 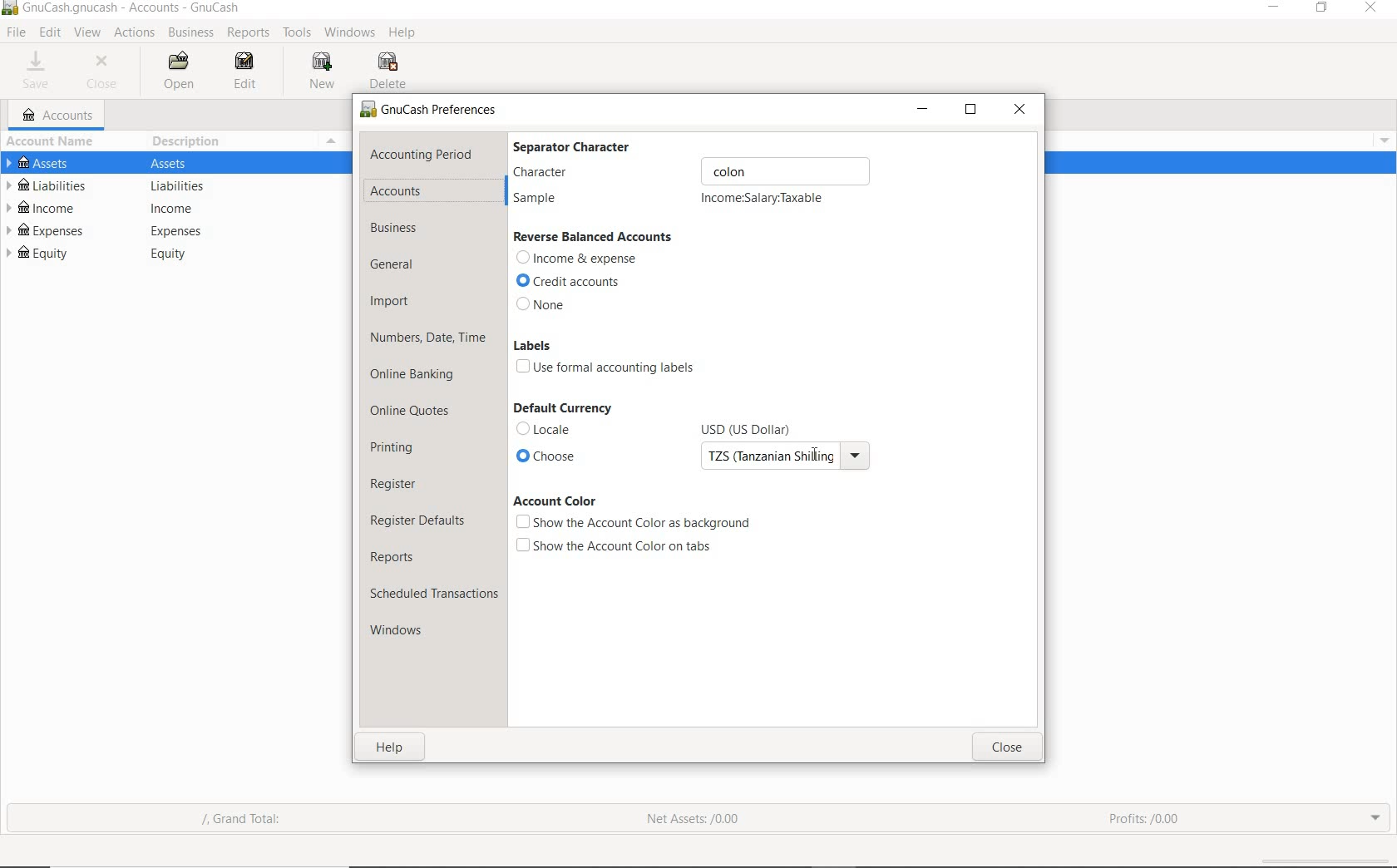 I want to click on default currency, so click(x=561, y=408).